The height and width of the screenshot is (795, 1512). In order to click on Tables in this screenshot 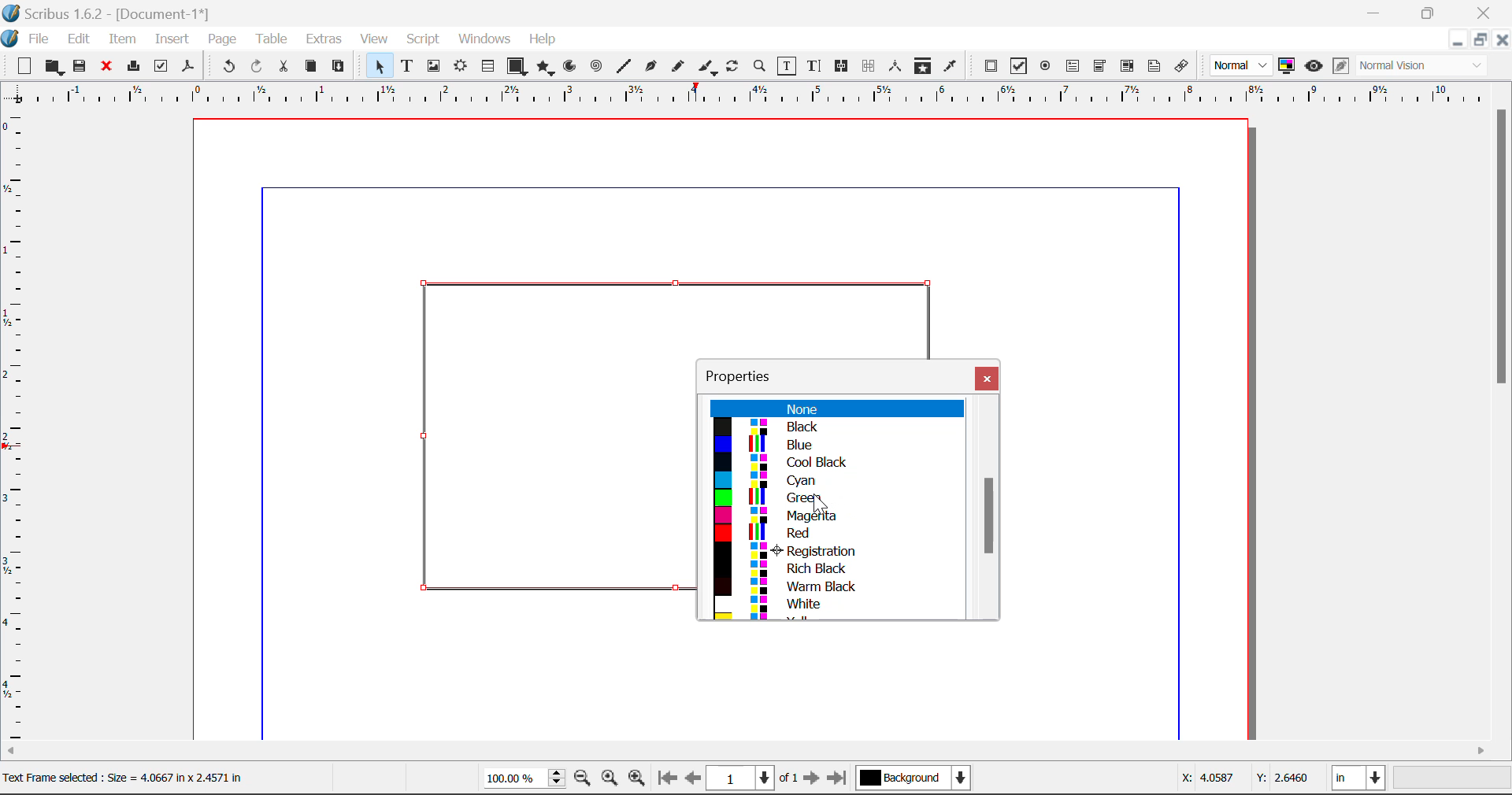, I will do `click(487, 66)`.